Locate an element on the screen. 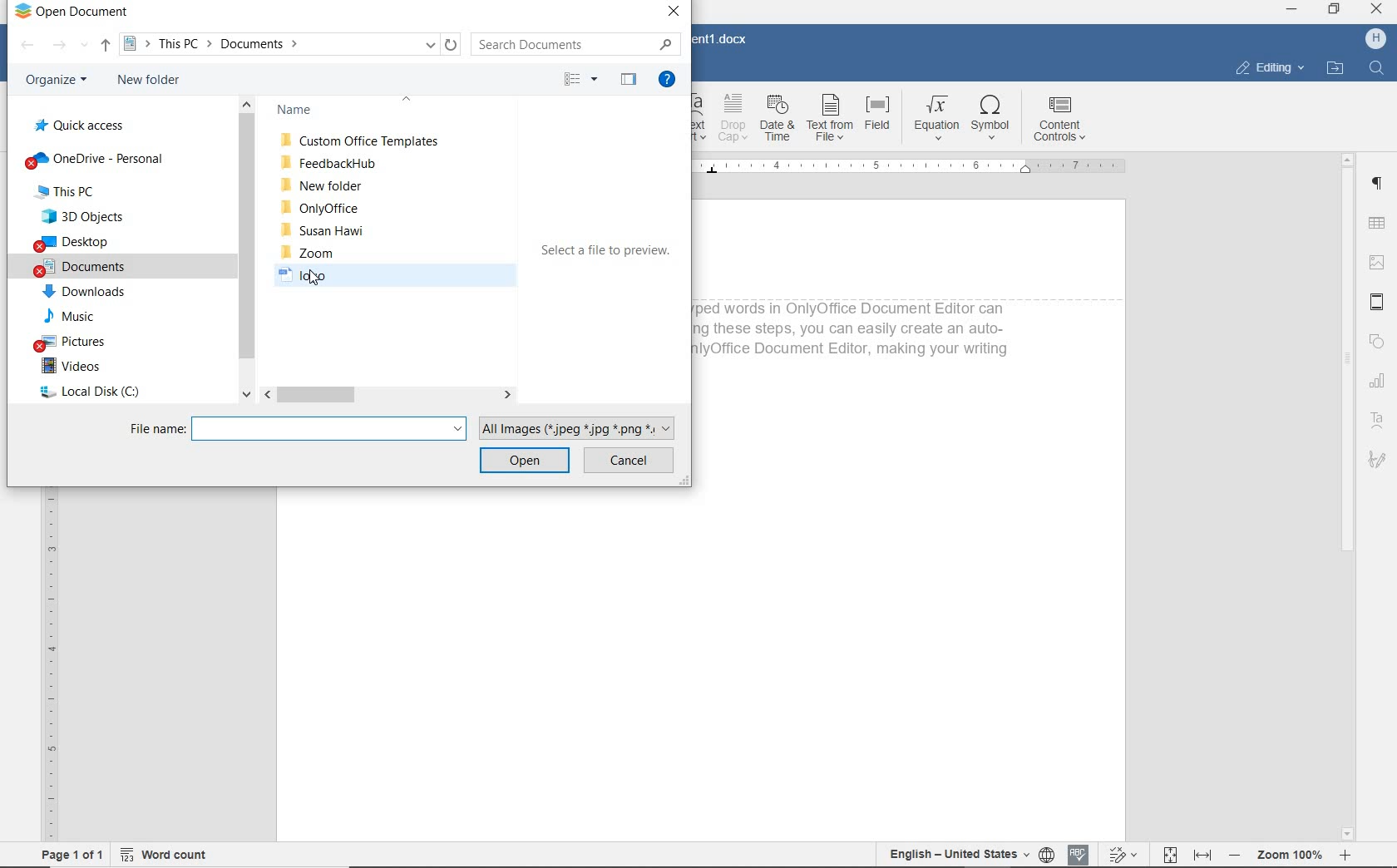 Image resolution: width=1397 pixels, height=868 pixels. SHAPE is located at coordinates (1378, 343).